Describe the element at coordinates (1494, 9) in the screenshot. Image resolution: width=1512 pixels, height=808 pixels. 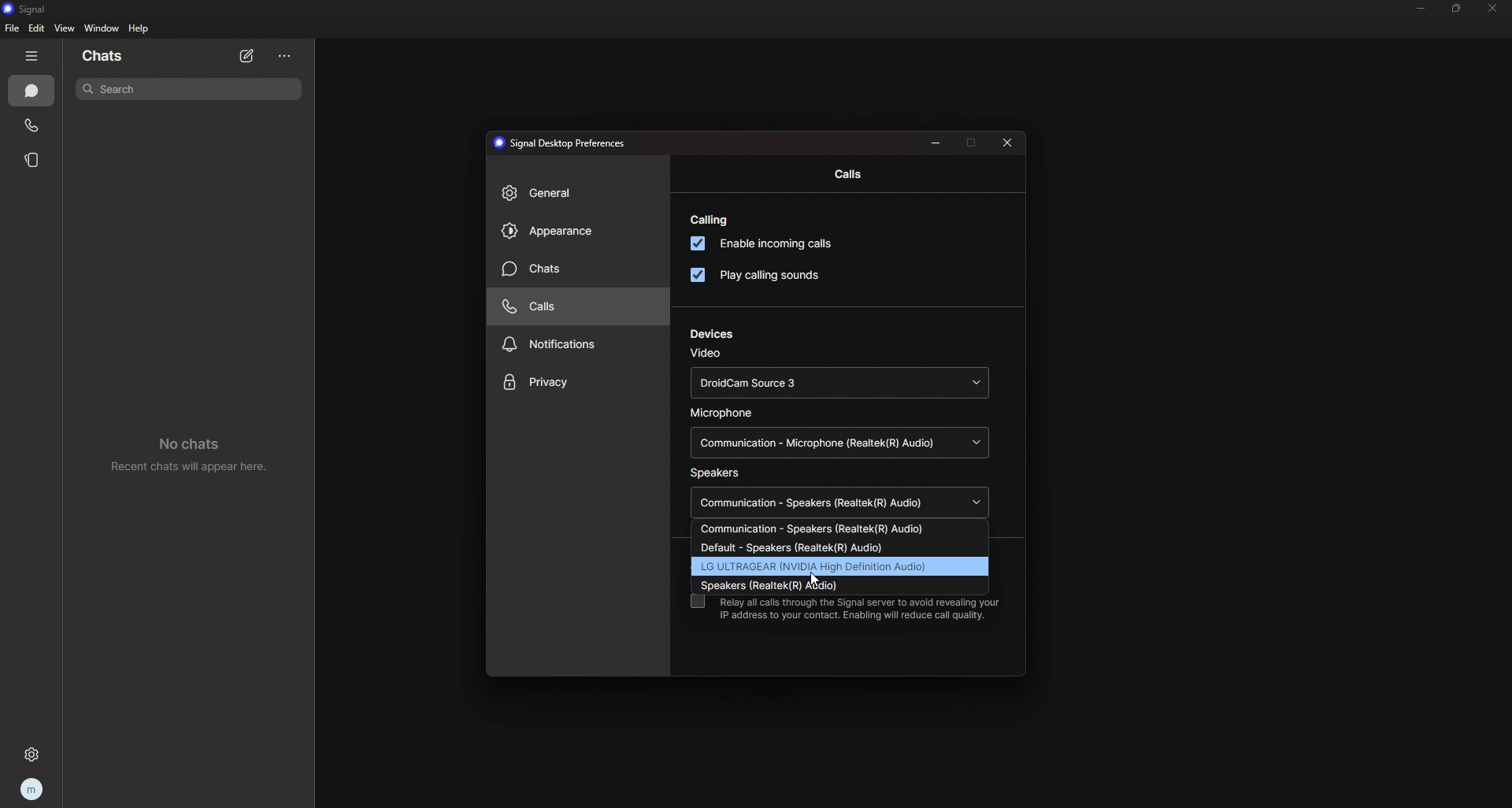
I see `close` at that location.